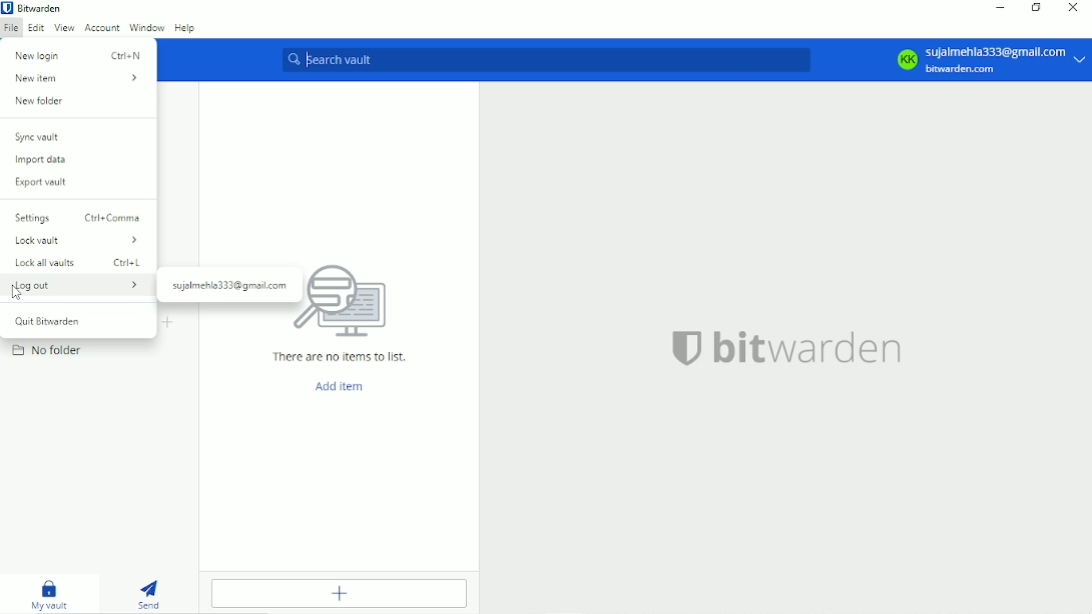  What do you see at coordinates (78, 285) in the screenshot?
I see `log out
>` at bounding box center [78, 285].